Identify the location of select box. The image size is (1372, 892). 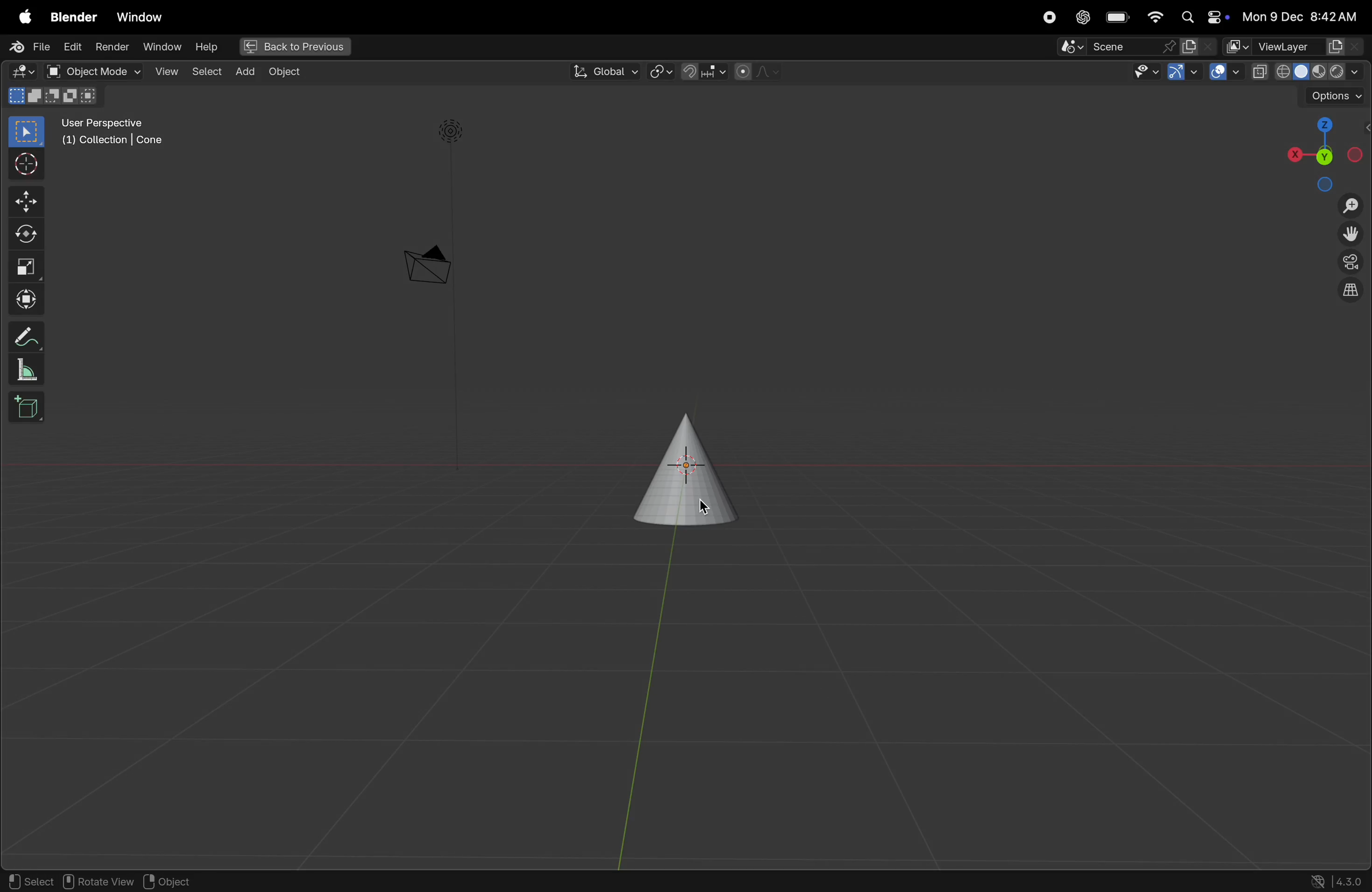
(28, 132).